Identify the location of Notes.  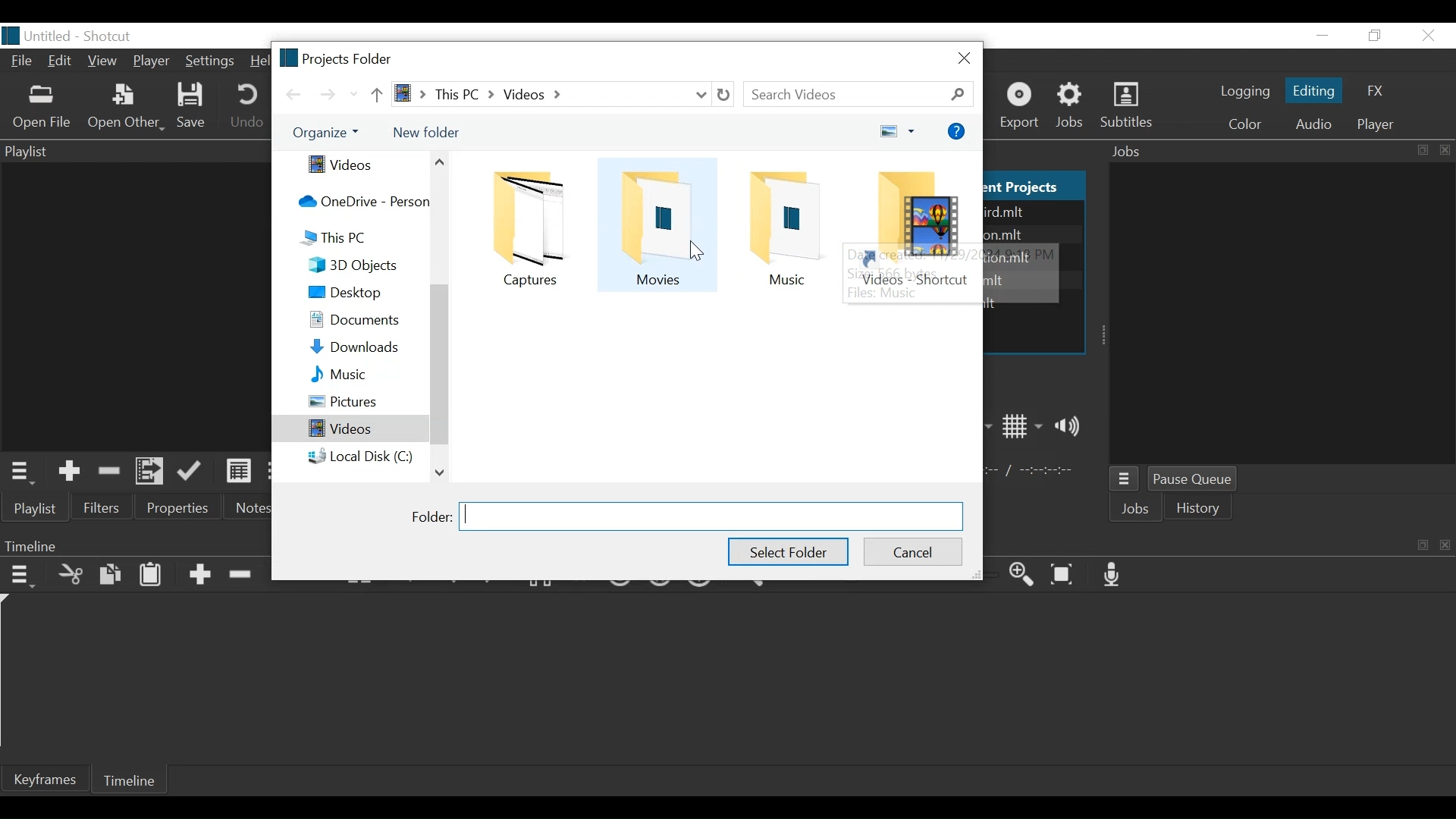
(246, 507).